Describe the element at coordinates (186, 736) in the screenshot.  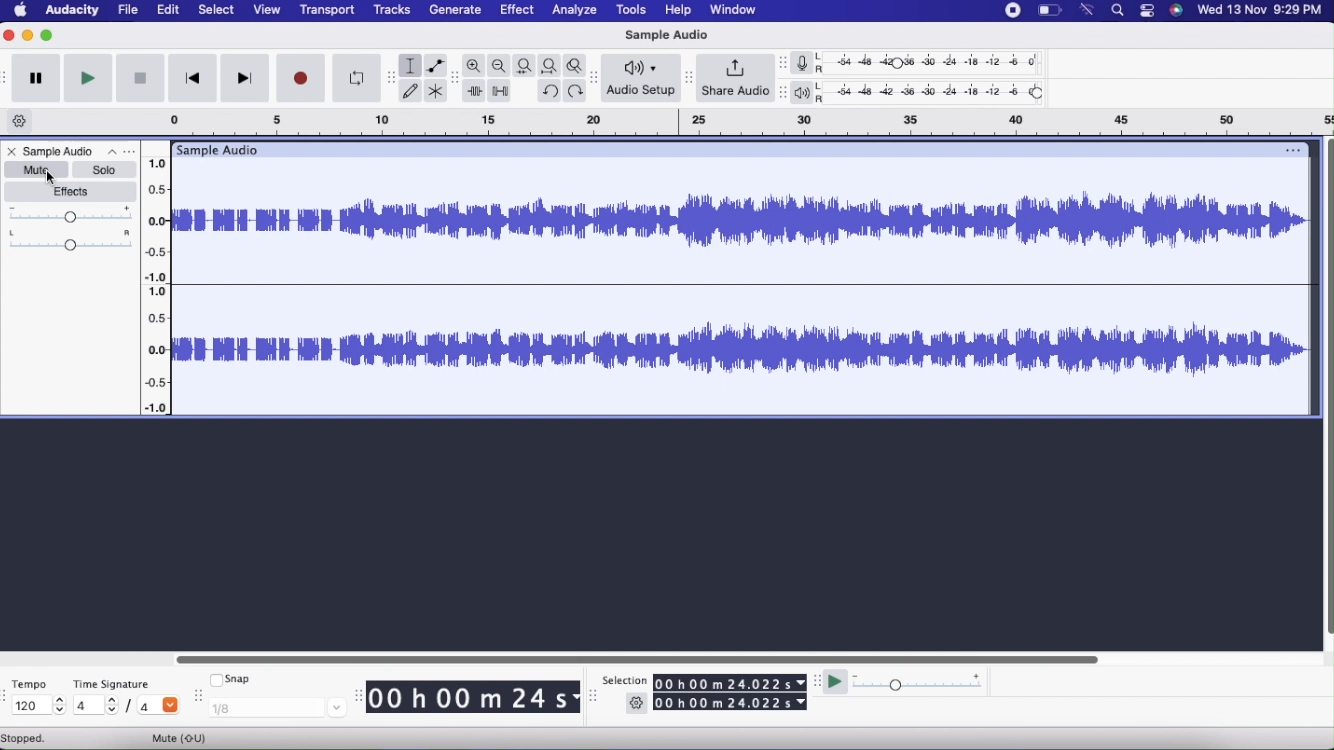
I see `Mute` at that location.